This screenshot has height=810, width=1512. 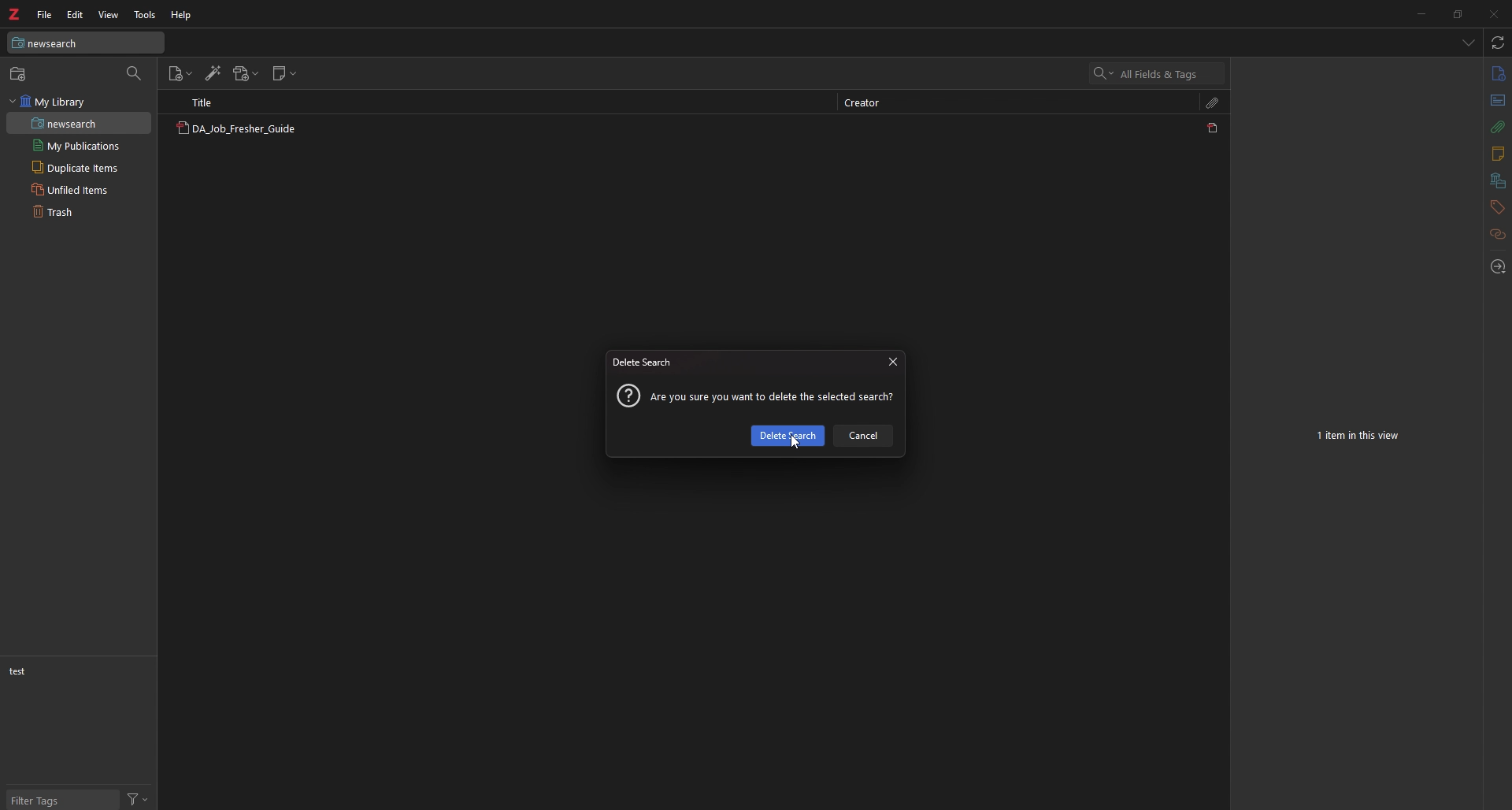 What do you see at coordinates (643, 363) in the screenshot?
I see `delete search` at bounding box center [643, 363].